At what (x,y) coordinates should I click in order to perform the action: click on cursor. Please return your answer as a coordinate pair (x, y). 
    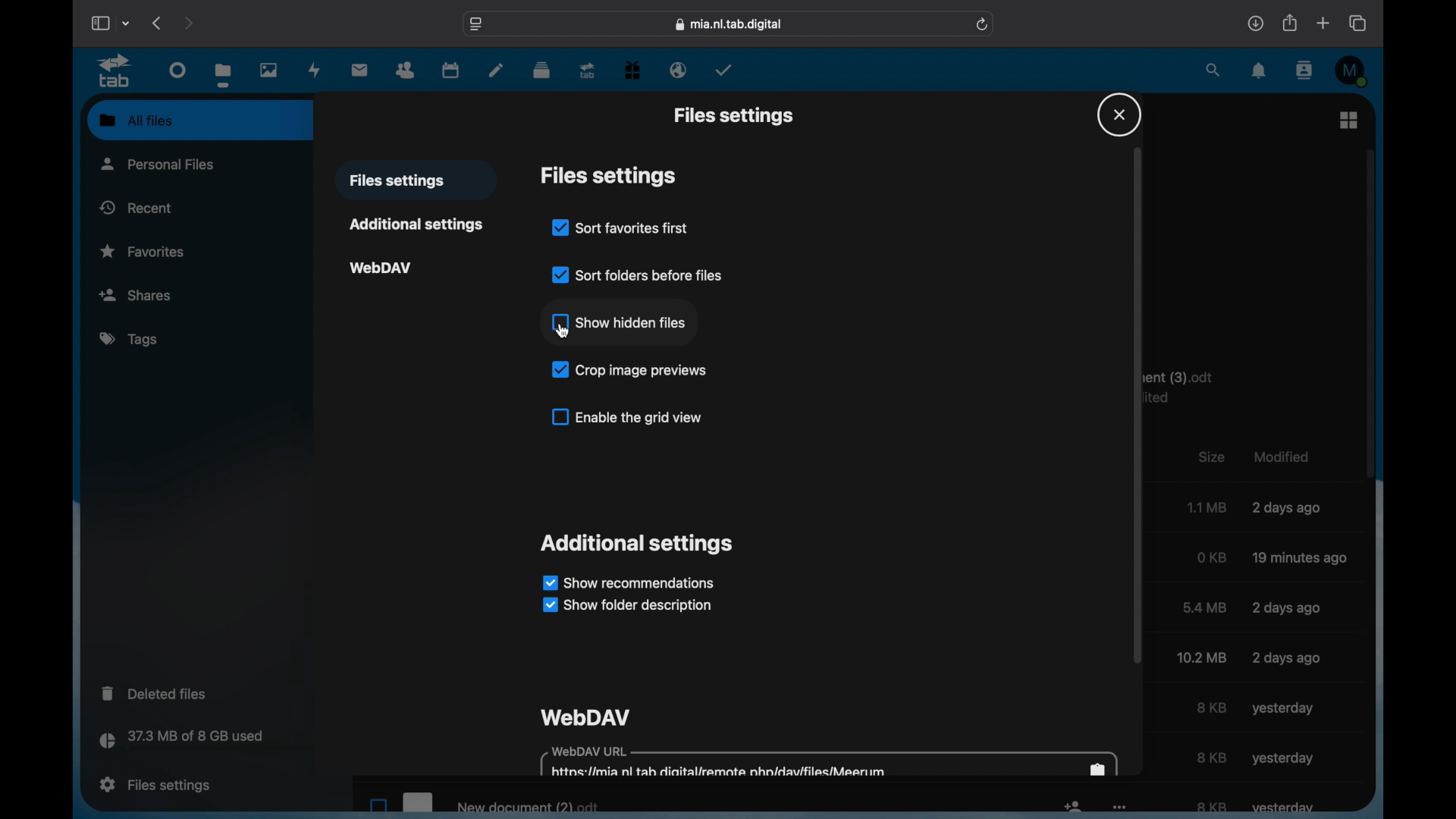
    Looking at the image, I should click on (563, 332).